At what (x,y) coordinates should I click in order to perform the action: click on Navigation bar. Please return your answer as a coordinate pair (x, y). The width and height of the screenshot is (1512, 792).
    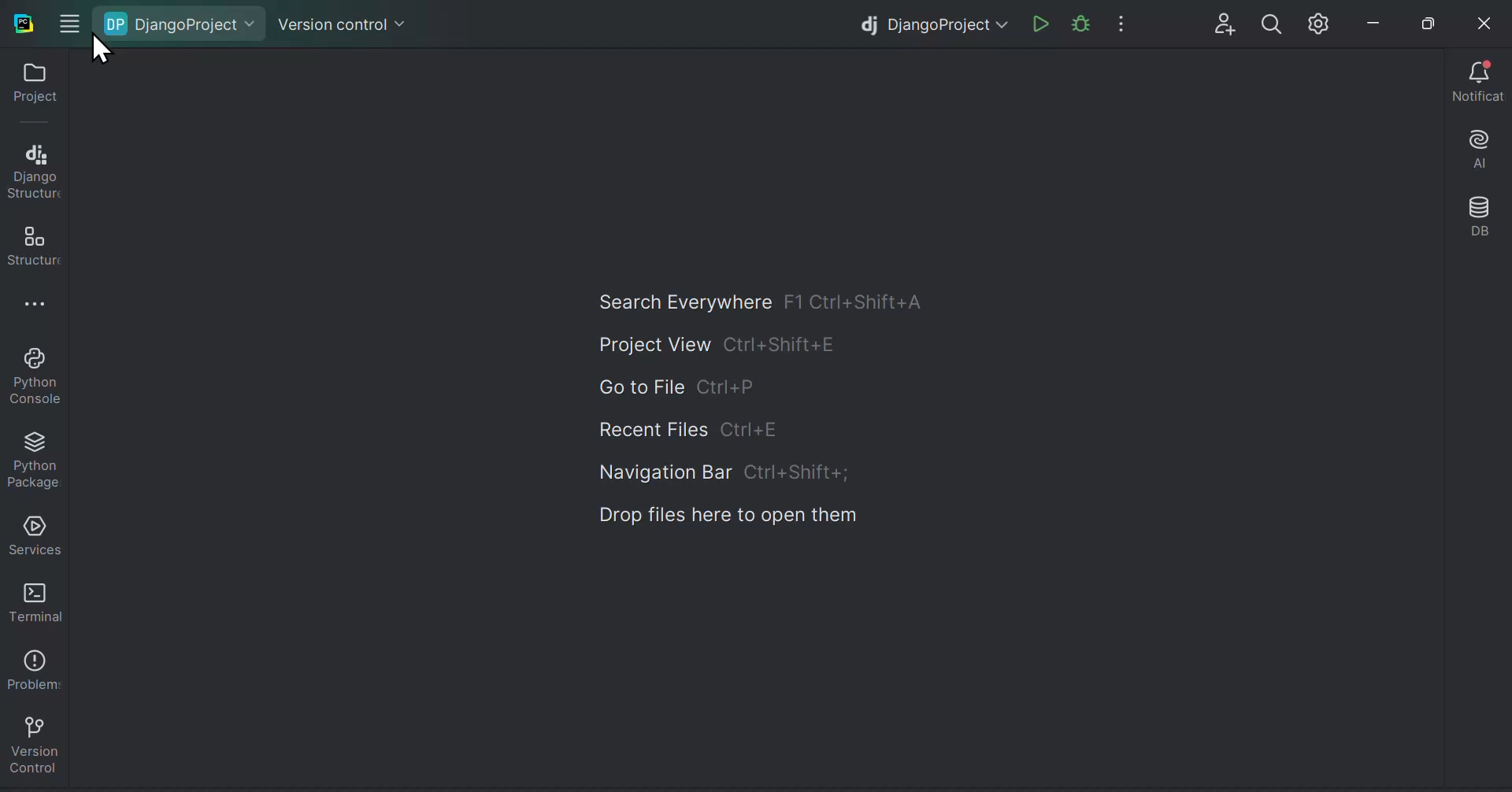
    Looking at the image, I should click on (724, 474).